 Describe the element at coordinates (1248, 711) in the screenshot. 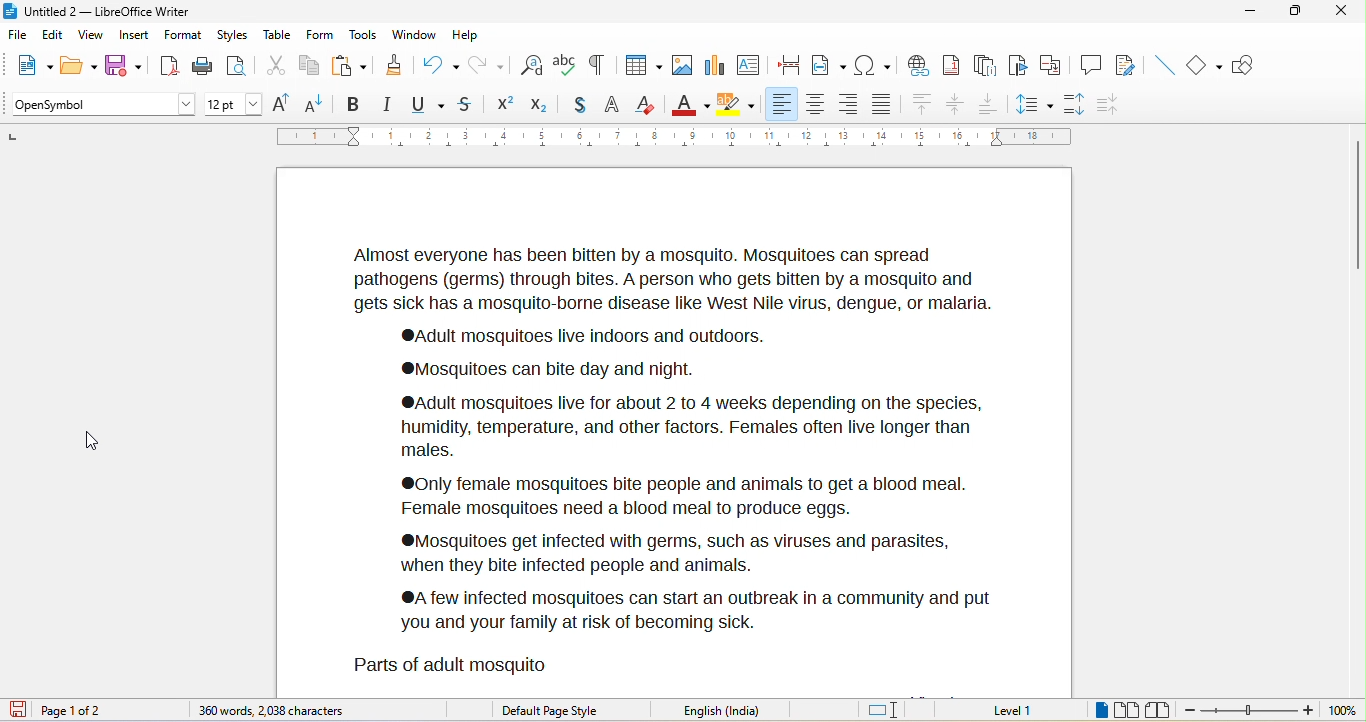

I see `zoom` at that location.